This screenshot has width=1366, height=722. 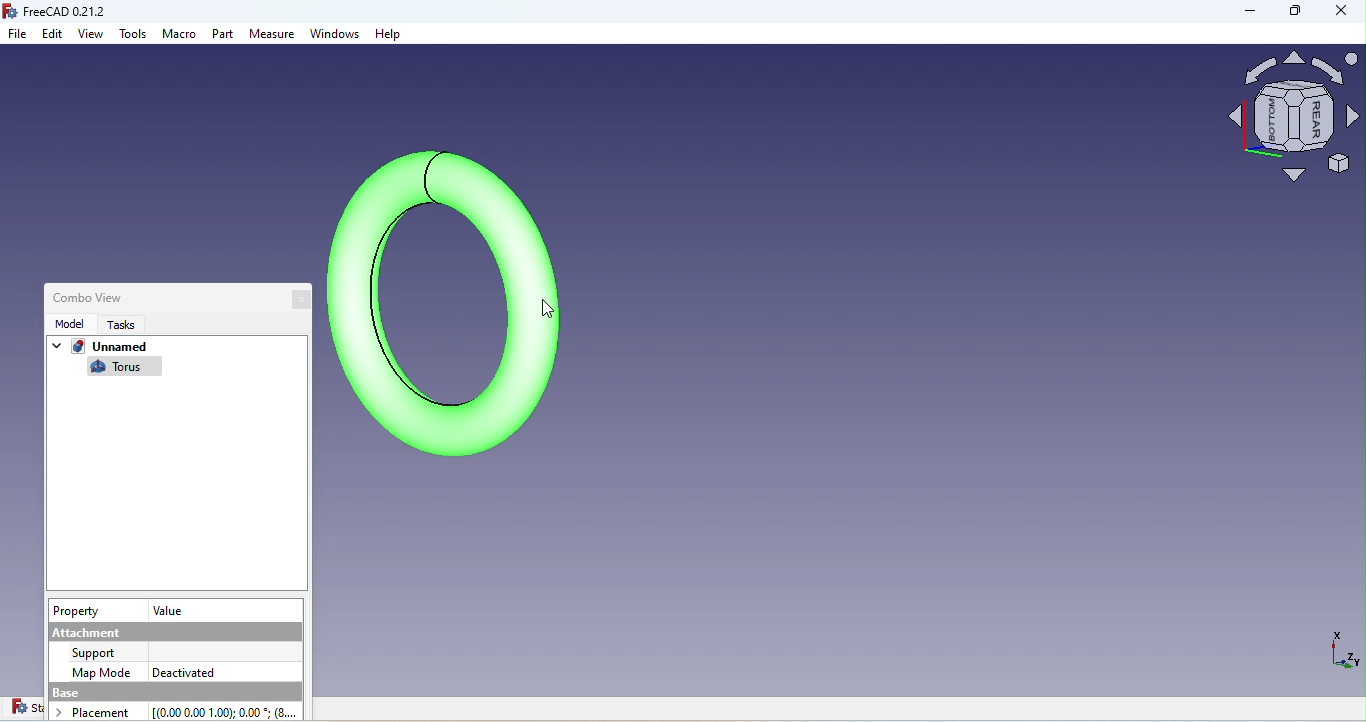 What do you see at coordinates (66, 323) in the screenshot?
I see `Model` at bounding box center [66, 323].